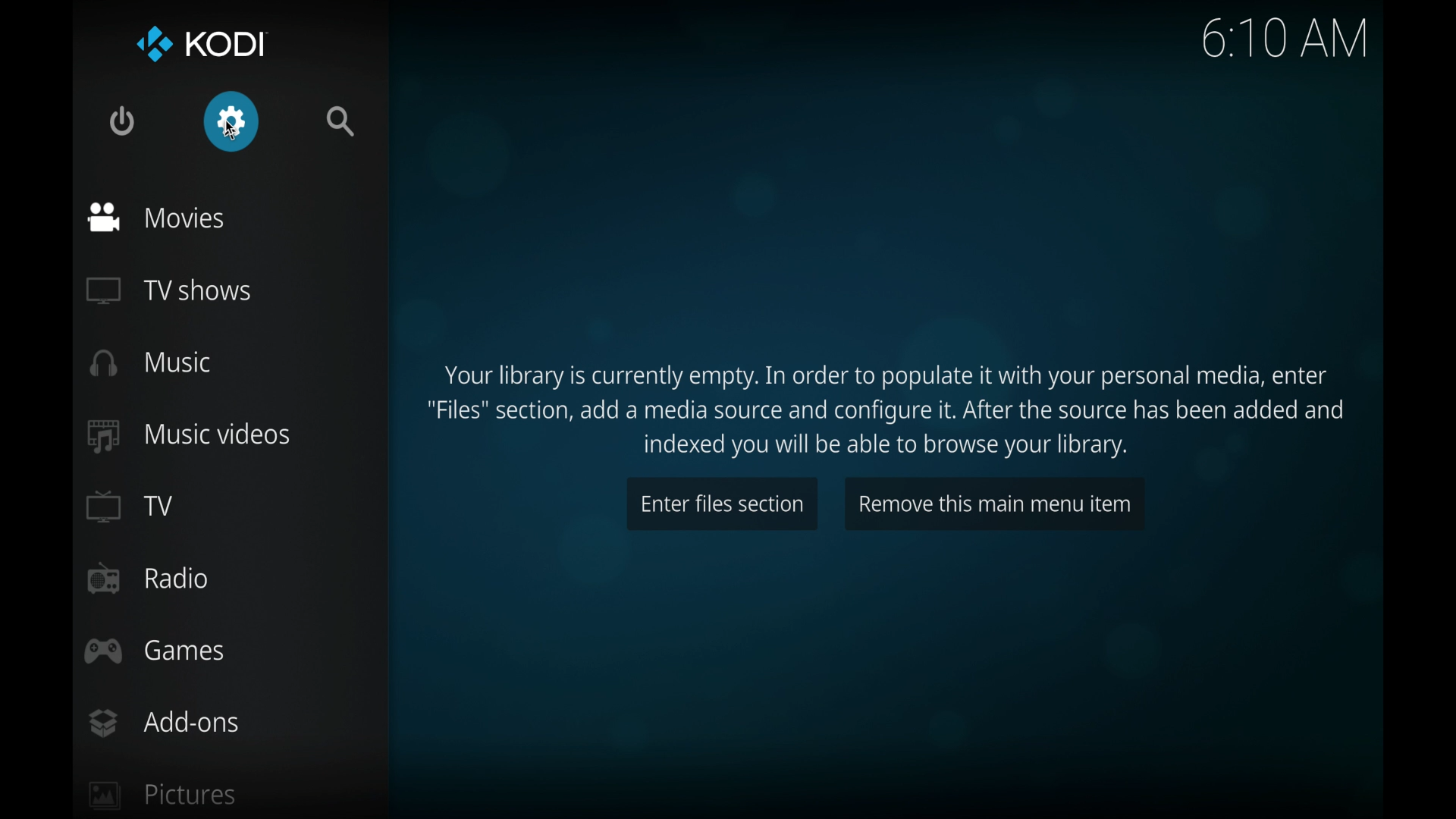  I want to click on music, so click(150, 362).